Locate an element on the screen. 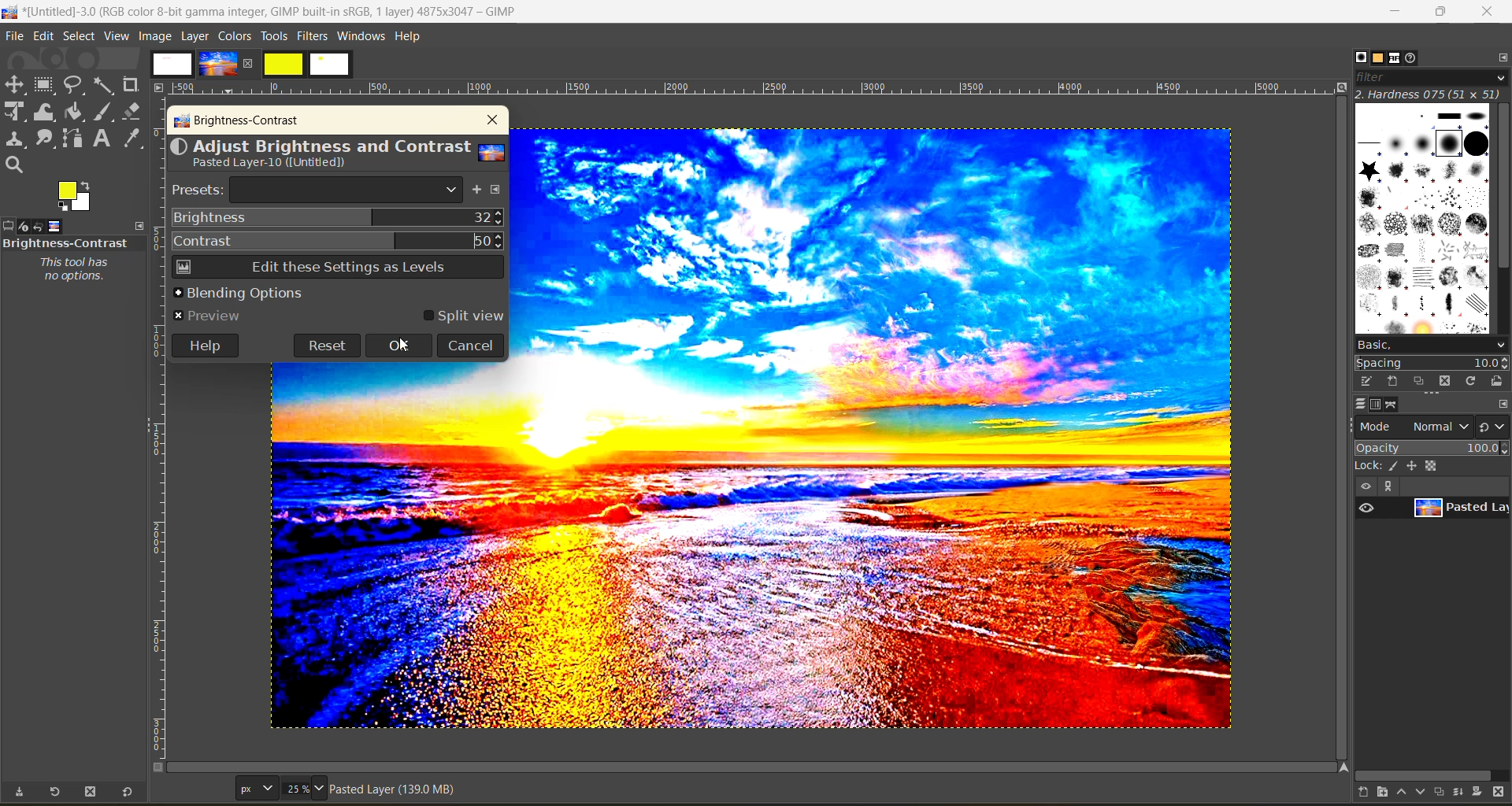 The height and width of the screenshot is (806, 1512). channels is located at coordinates (1376, 405).